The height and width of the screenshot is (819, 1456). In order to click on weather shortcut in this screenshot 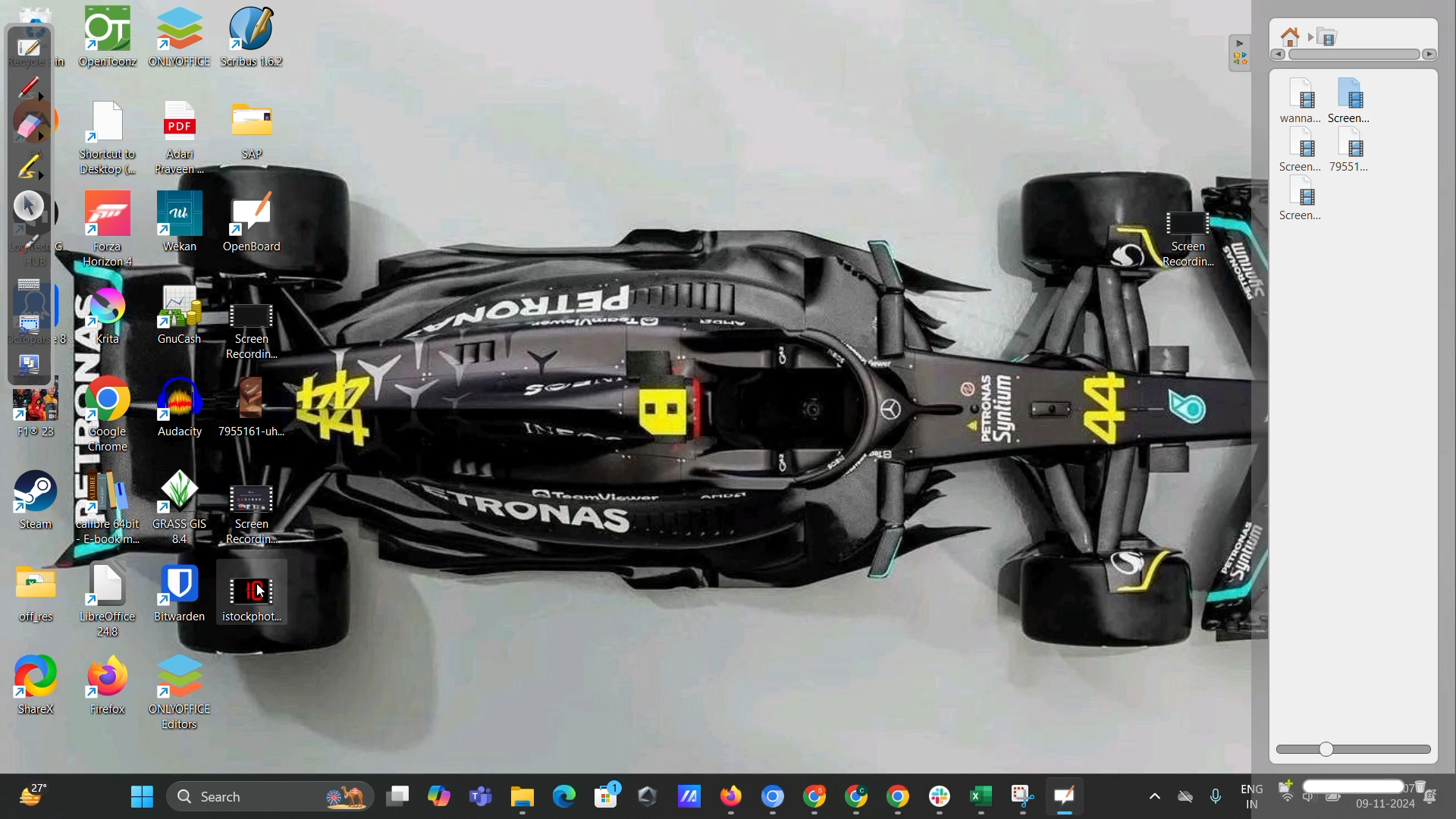, I will do `click(29, 795)`.